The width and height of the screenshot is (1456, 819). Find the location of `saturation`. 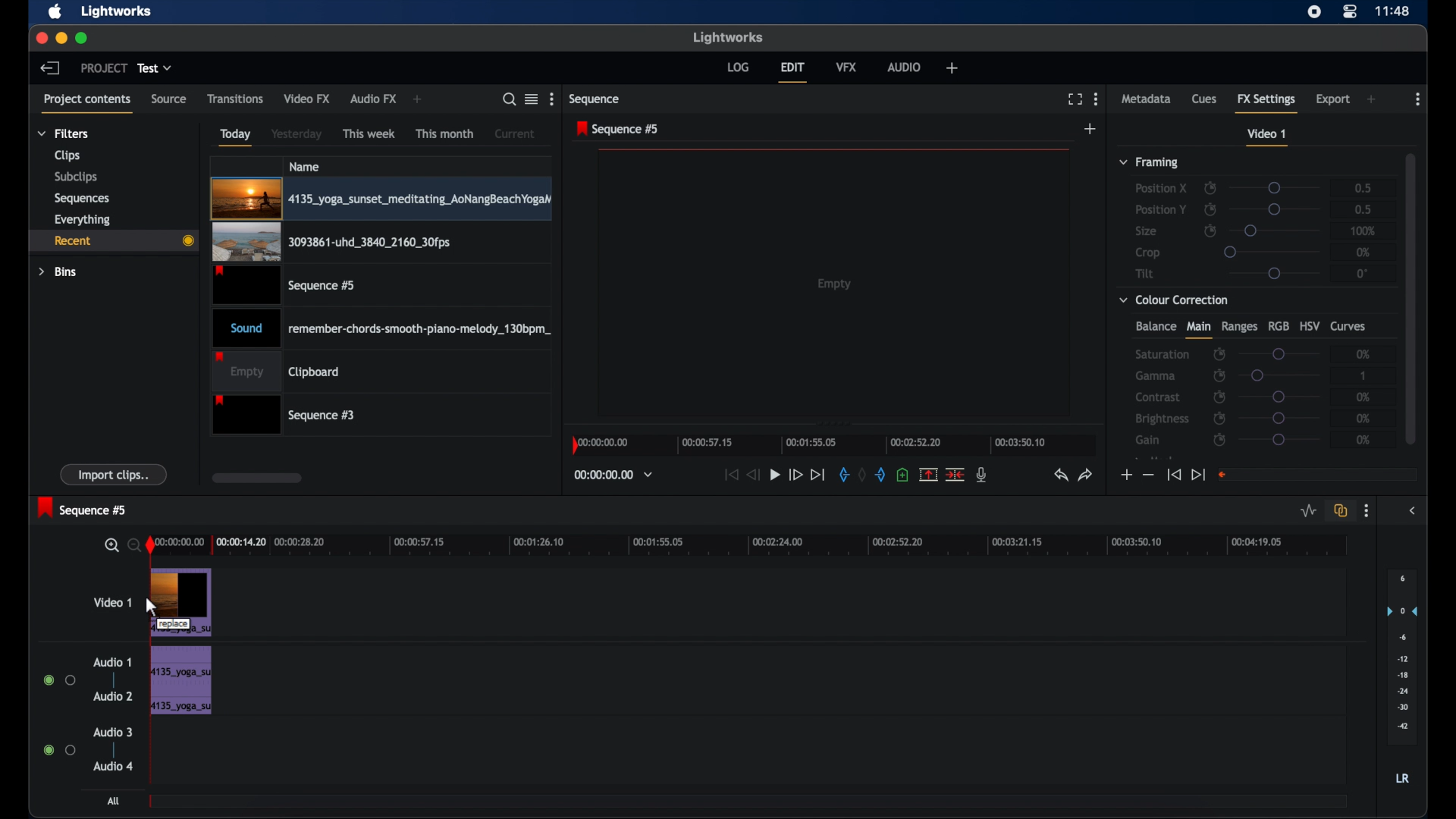

saturation is located at coordinates (1163, 353).